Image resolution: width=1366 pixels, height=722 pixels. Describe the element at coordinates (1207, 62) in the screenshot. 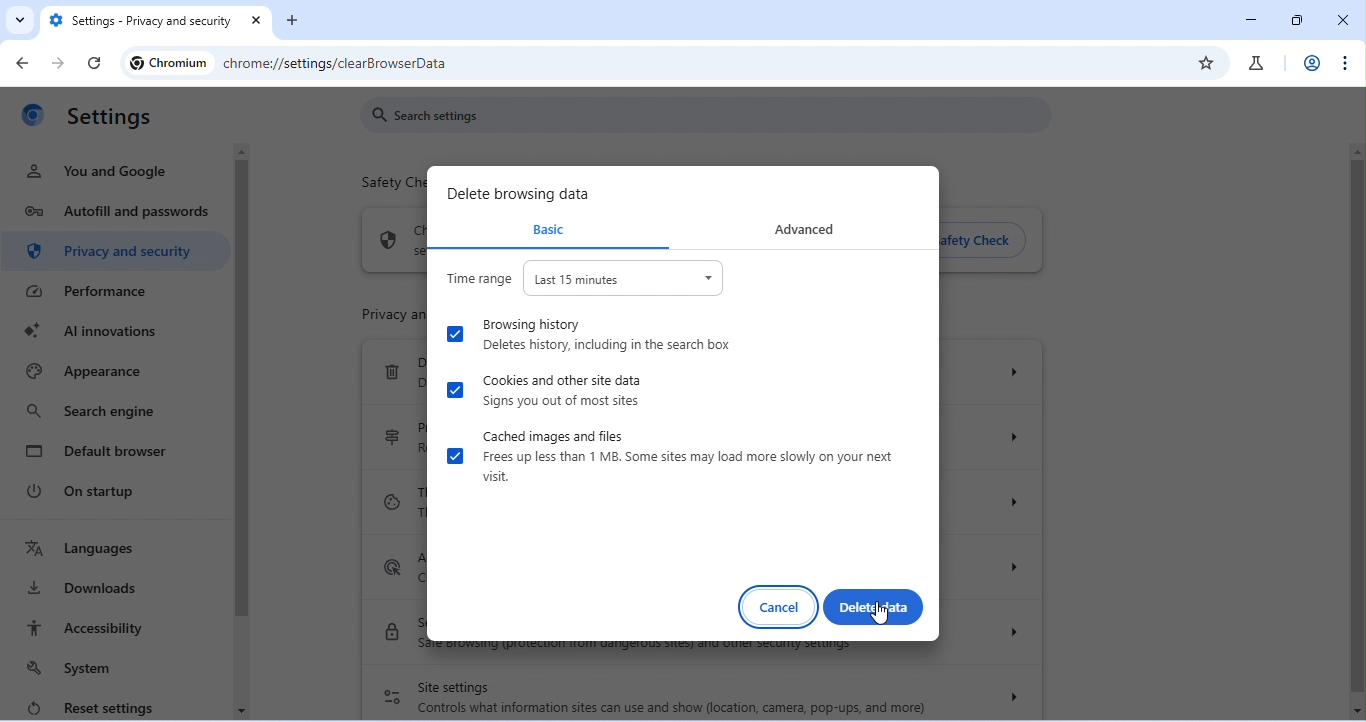

I see `bookmarks` at that location.